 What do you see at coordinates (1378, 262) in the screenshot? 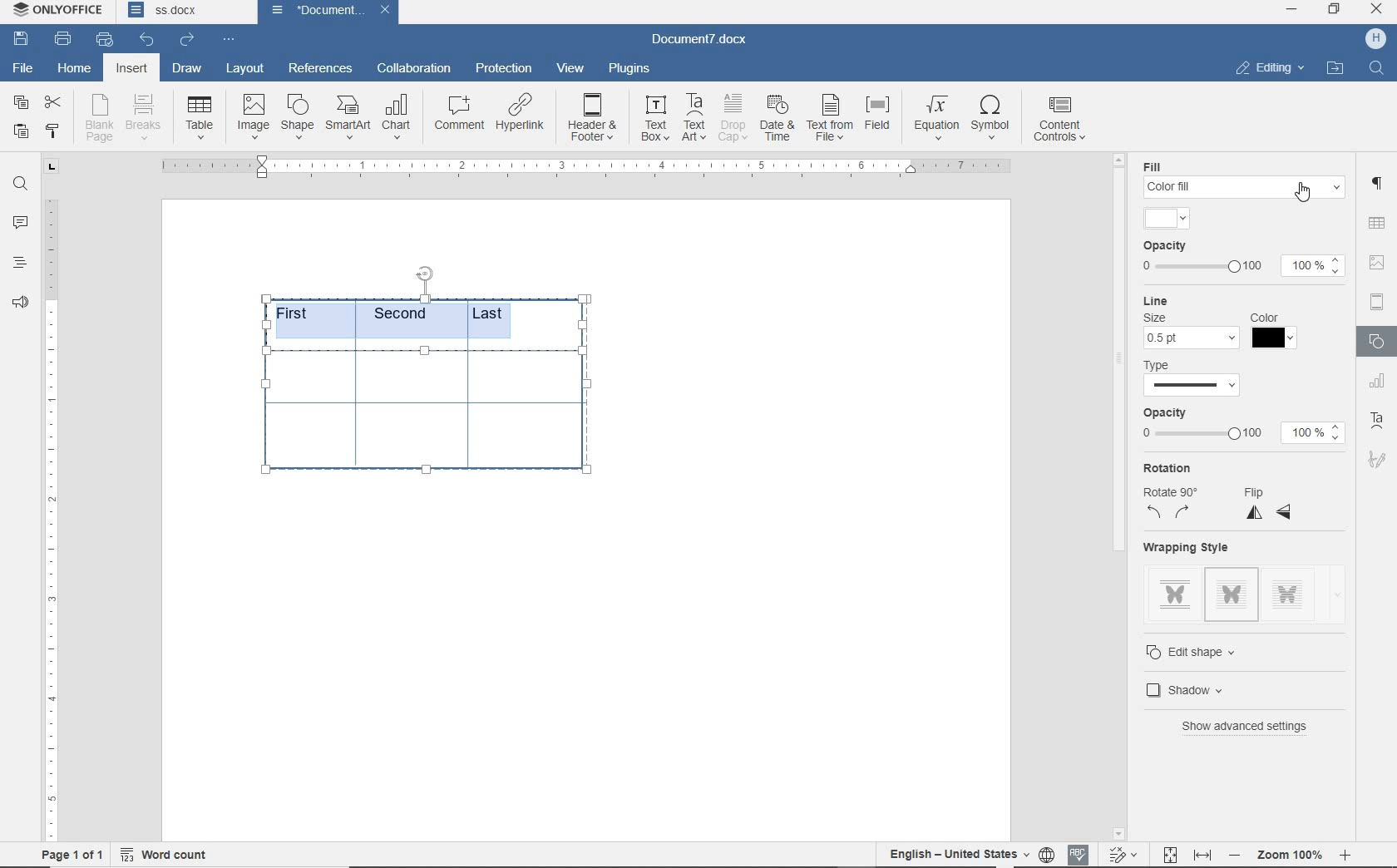
I see `IMAGE` at bounding box center [1378, 262].